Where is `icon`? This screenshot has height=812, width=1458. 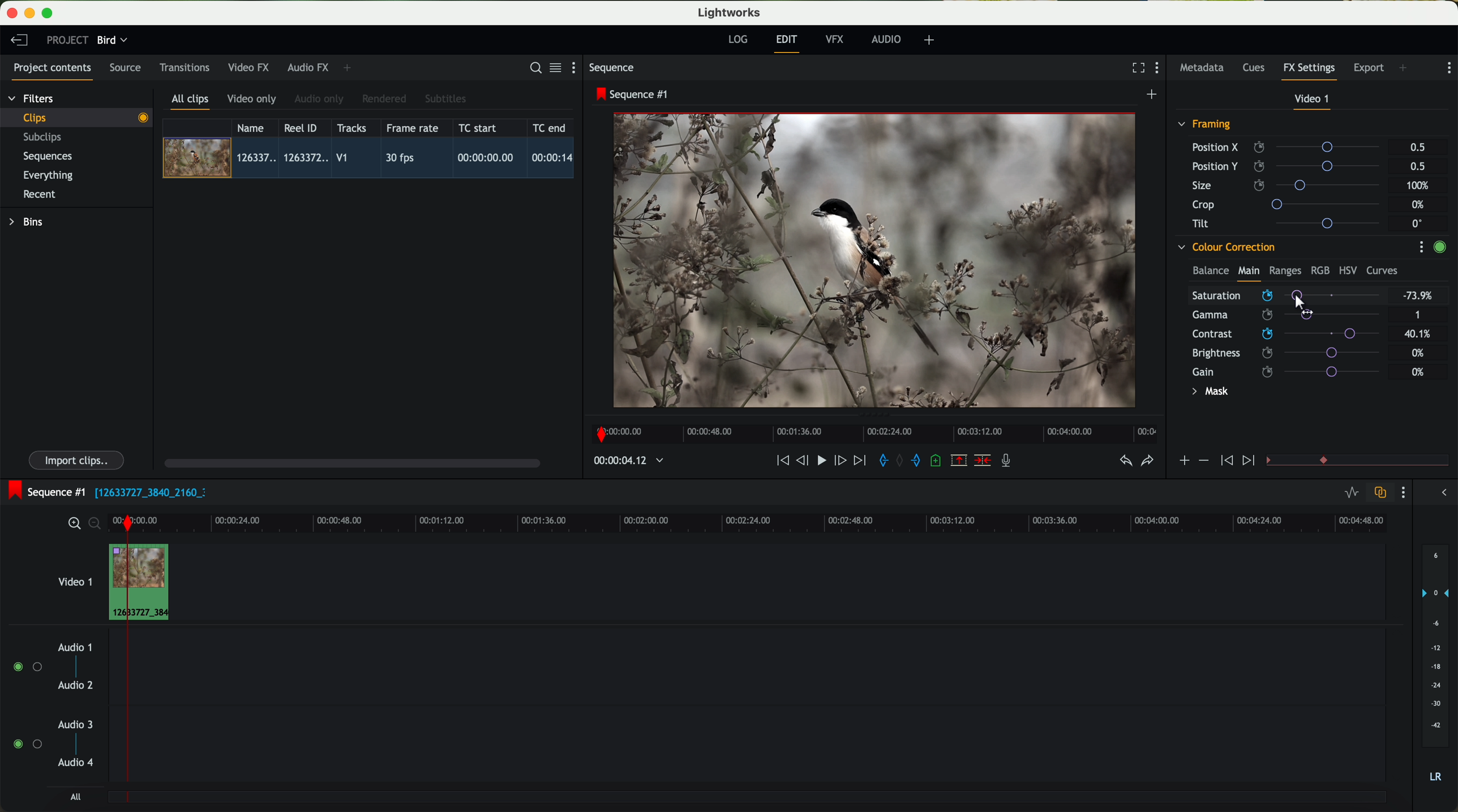
icon is located at coordinates (1225, 461).